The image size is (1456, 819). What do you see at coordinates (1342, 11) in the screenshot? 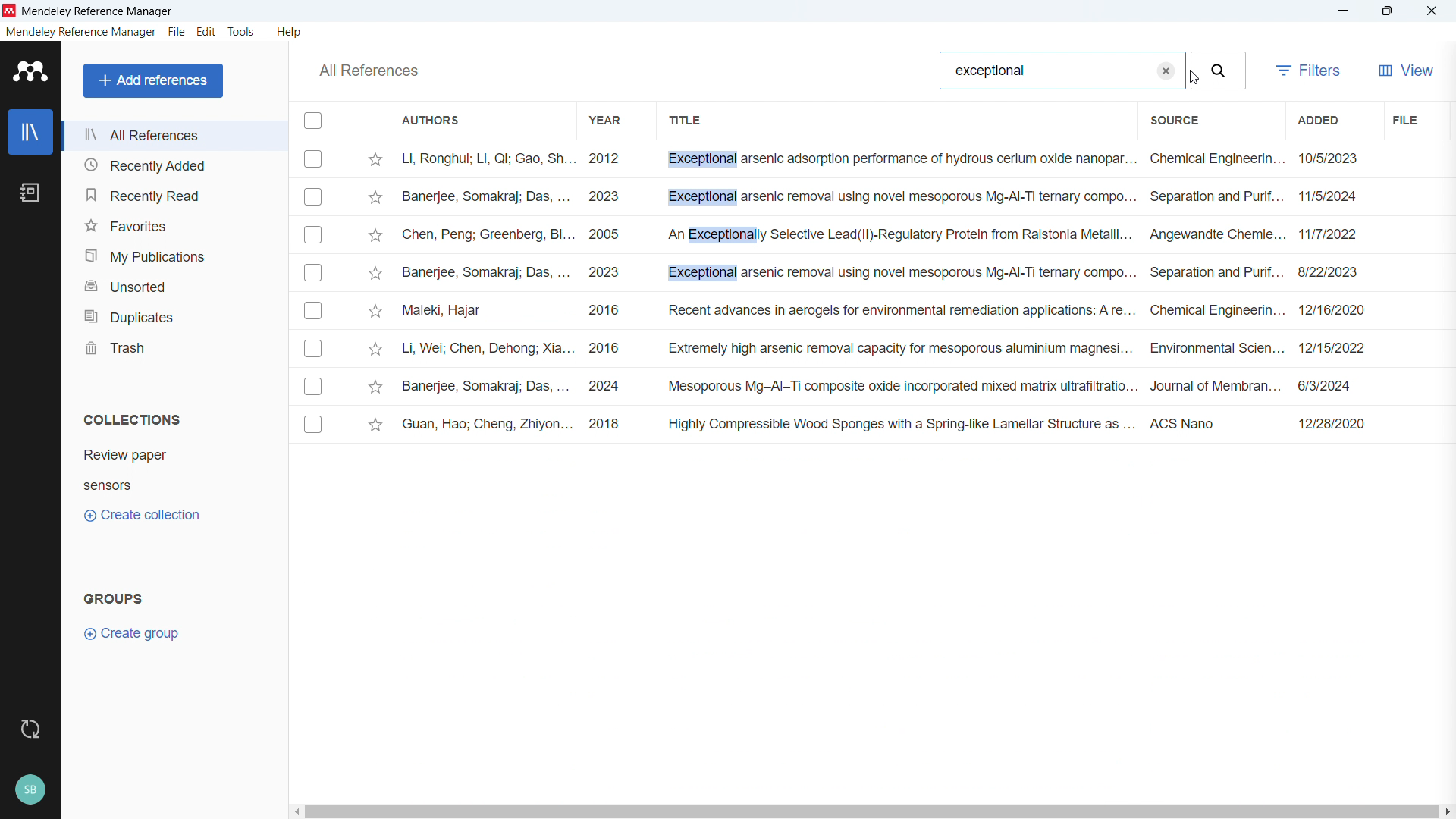
I see `minimise ` at bounding box center [1342, 11].